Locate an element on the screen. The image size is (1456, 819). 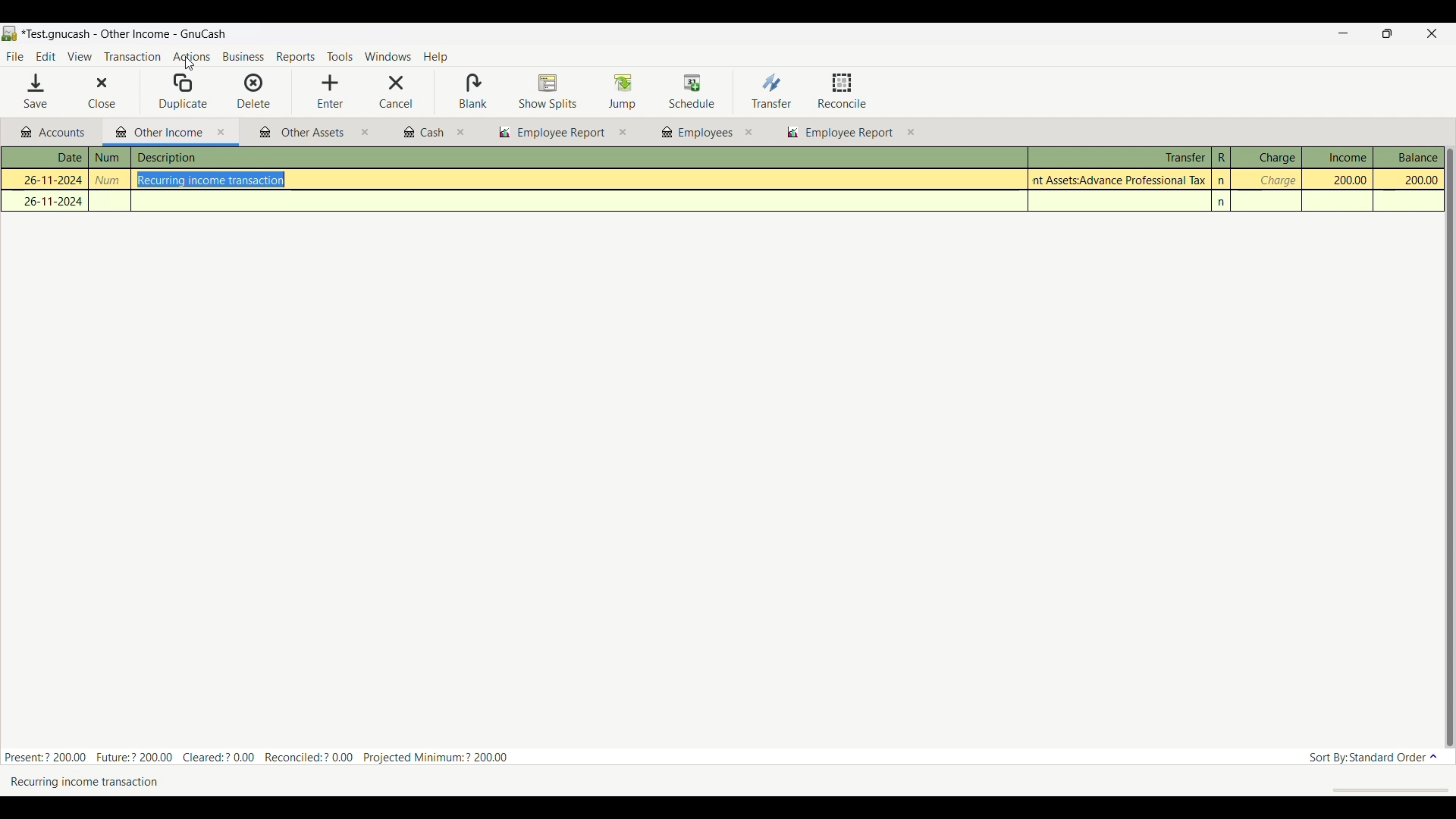
Description of current selection is located at coordinates (104, 781).